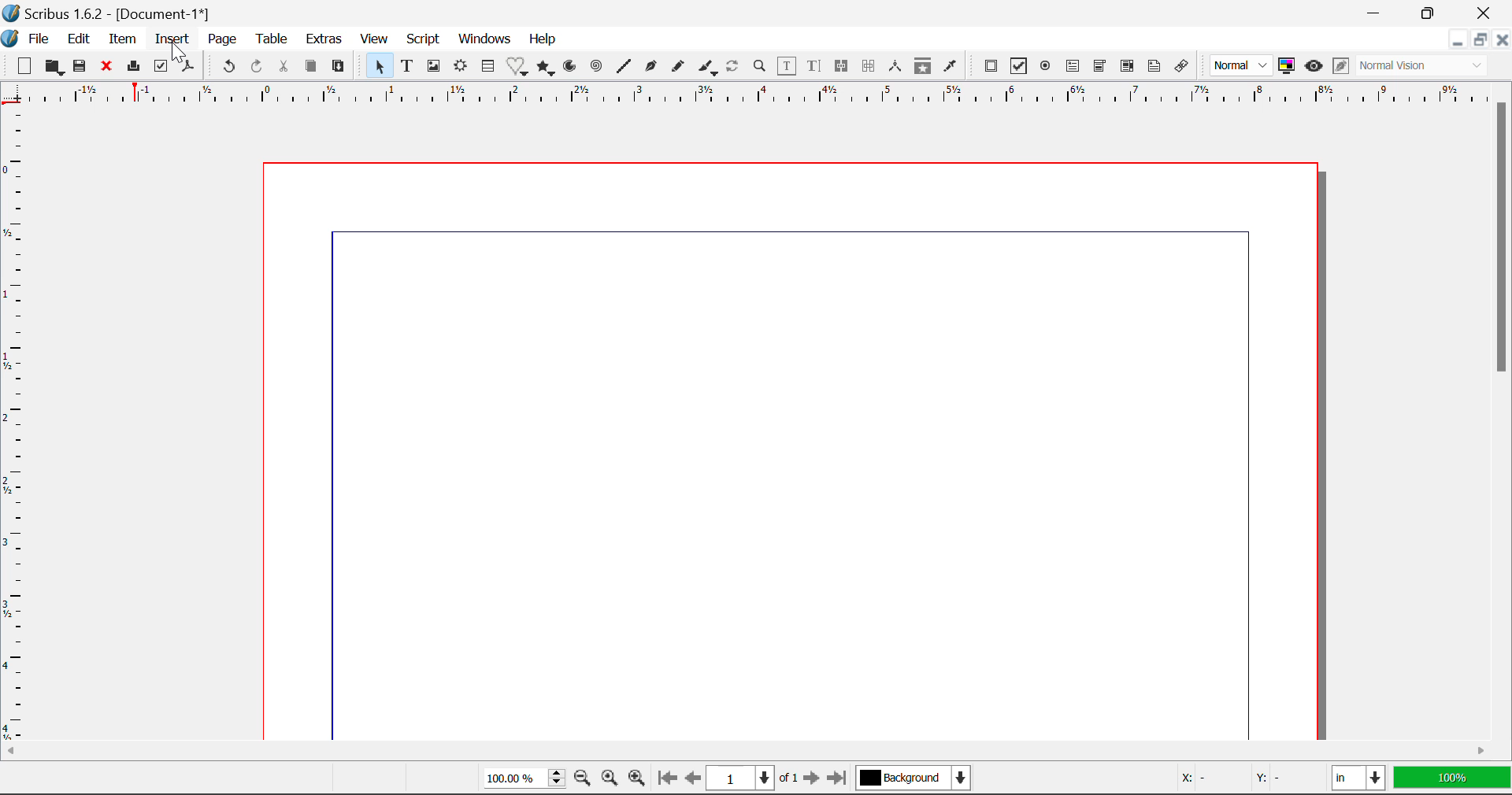  What do you see at coordinates (1357, 780) in the screenshot?
I see `in ` at bounding box center [1357, 780].